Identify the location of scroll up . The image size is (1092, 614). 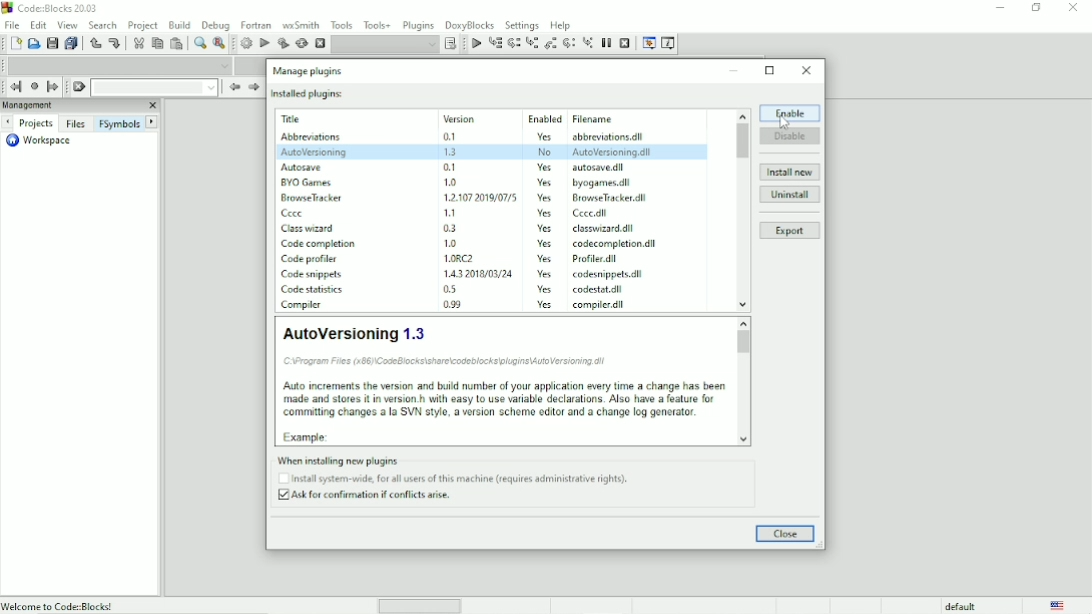
(741, 114).